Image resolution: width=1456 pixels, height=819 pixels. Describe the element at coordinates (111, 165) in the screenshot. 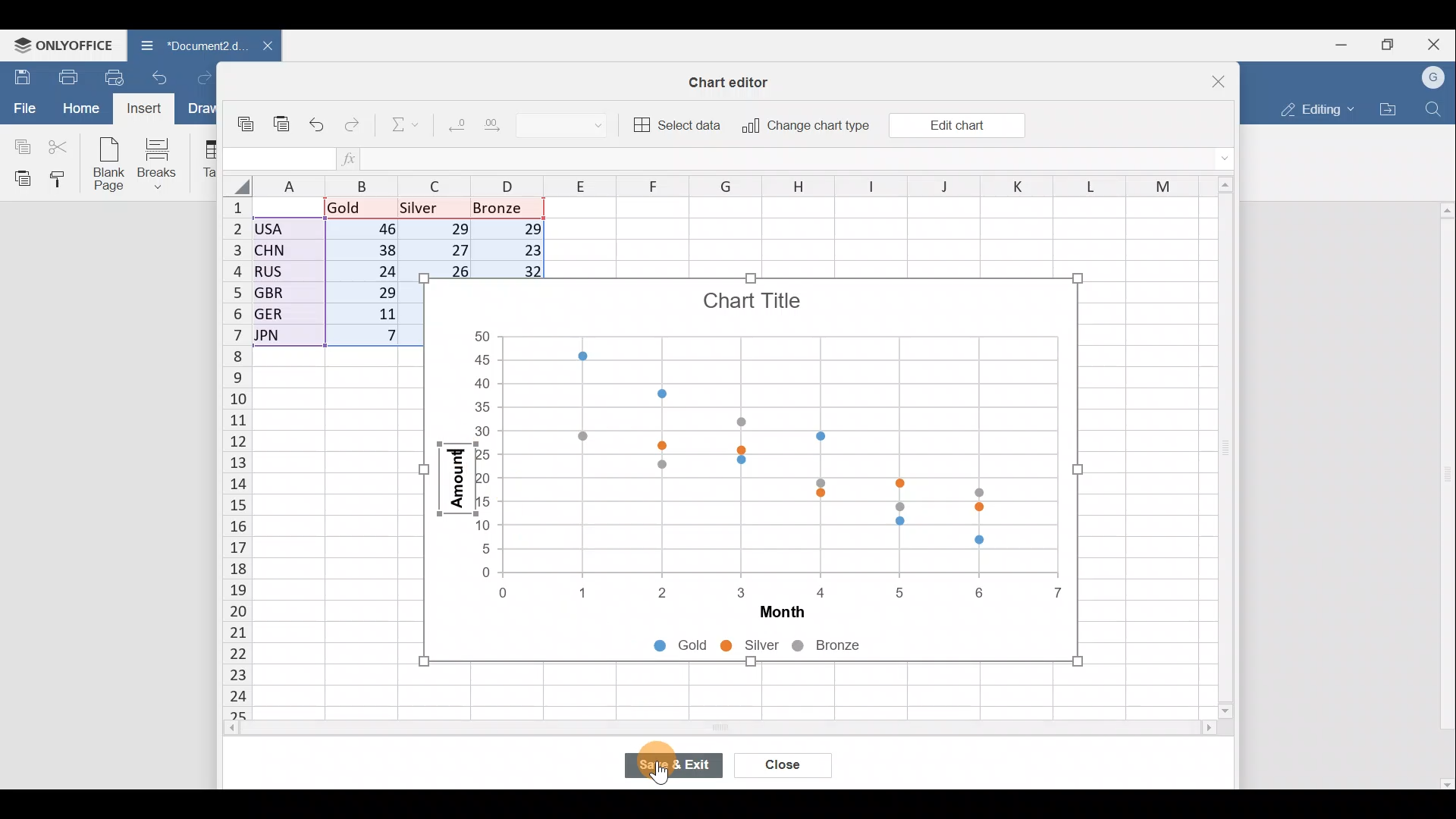

I see `Blank page` at that location.